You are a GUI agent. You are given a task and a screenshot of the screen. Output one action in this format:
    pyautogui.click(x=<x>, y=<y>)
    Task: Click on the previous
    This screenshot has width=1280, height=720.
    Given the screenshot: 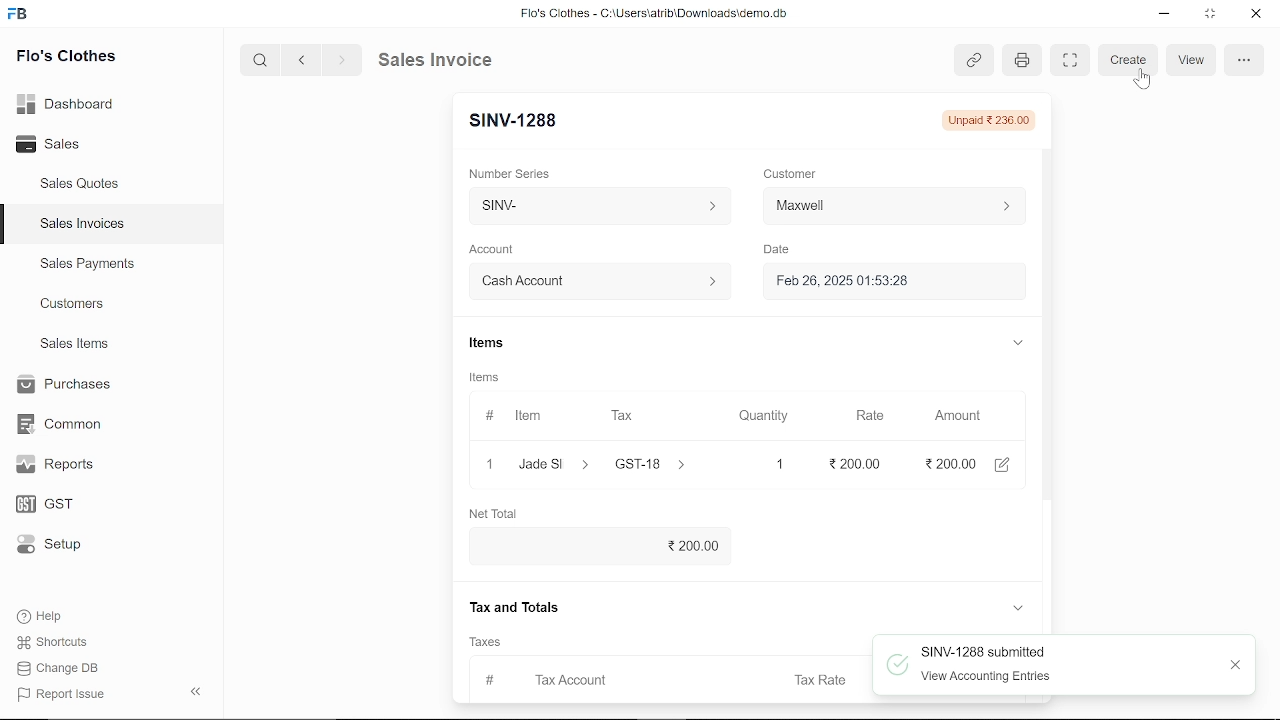 What is the action you would take?
    pyautogui.click(x=302, y=59)
    